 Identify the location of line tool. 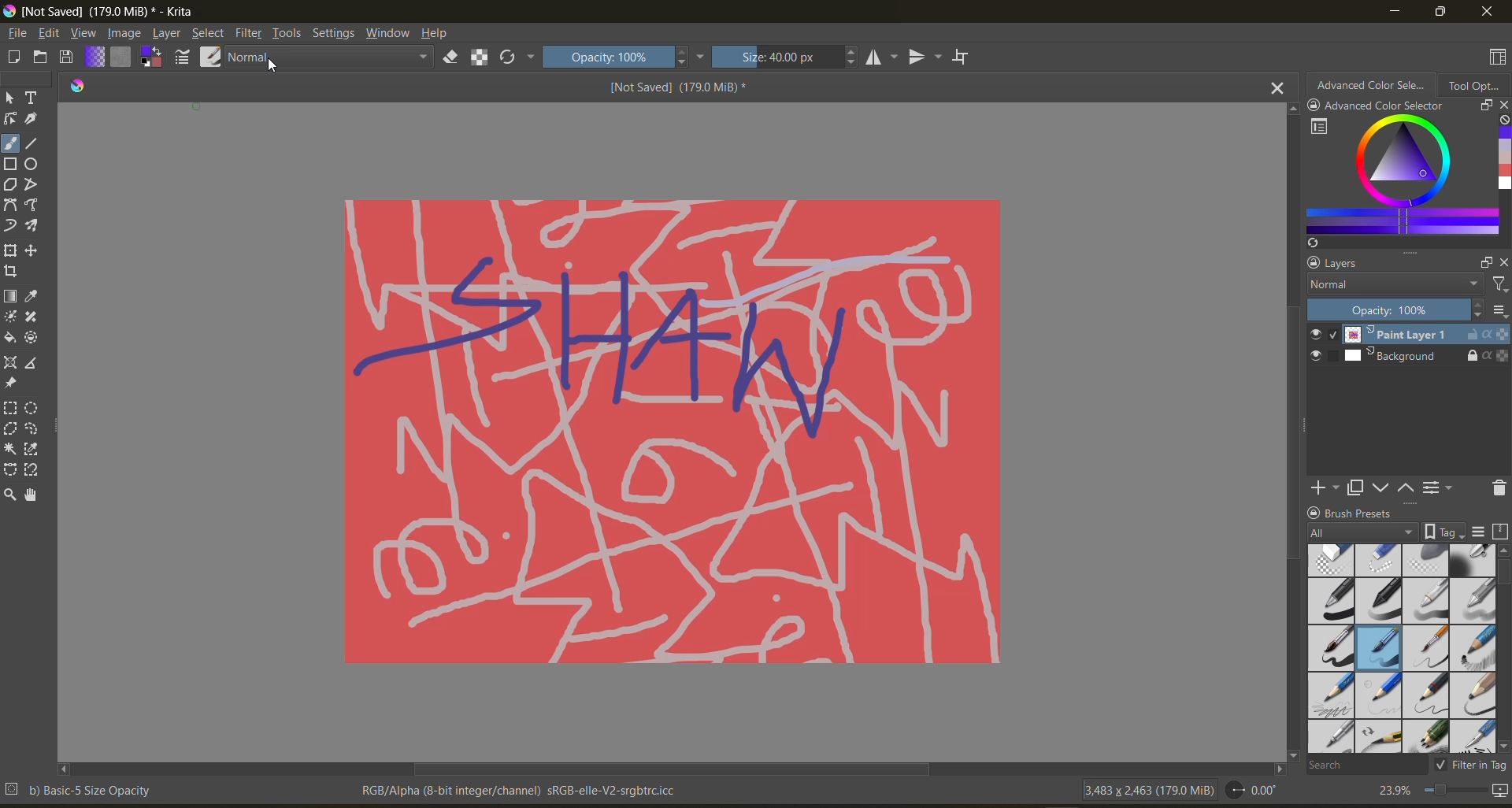
(32, 143).